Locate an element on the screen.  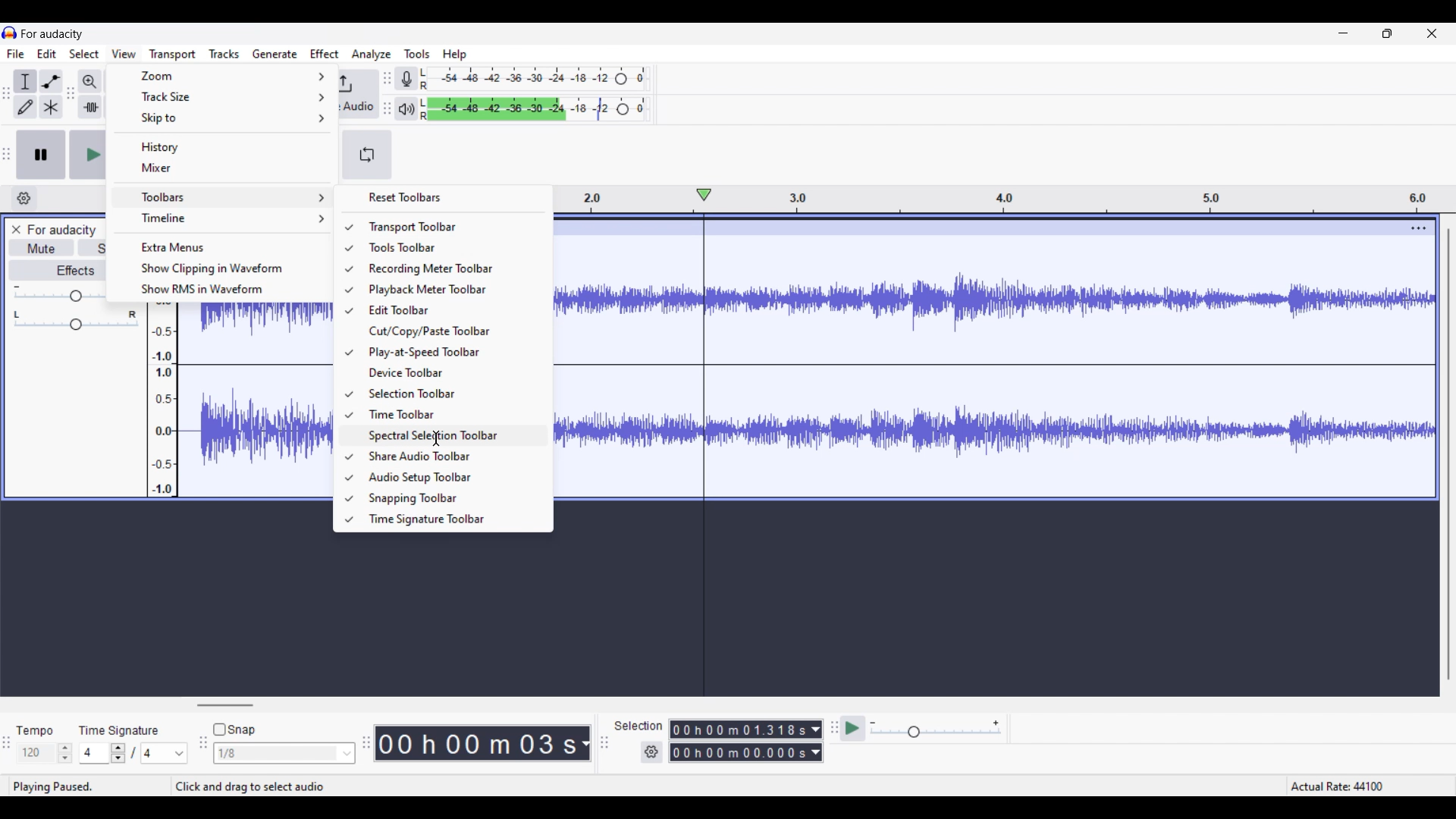
Enable looping is located at coordinates (367, 155).